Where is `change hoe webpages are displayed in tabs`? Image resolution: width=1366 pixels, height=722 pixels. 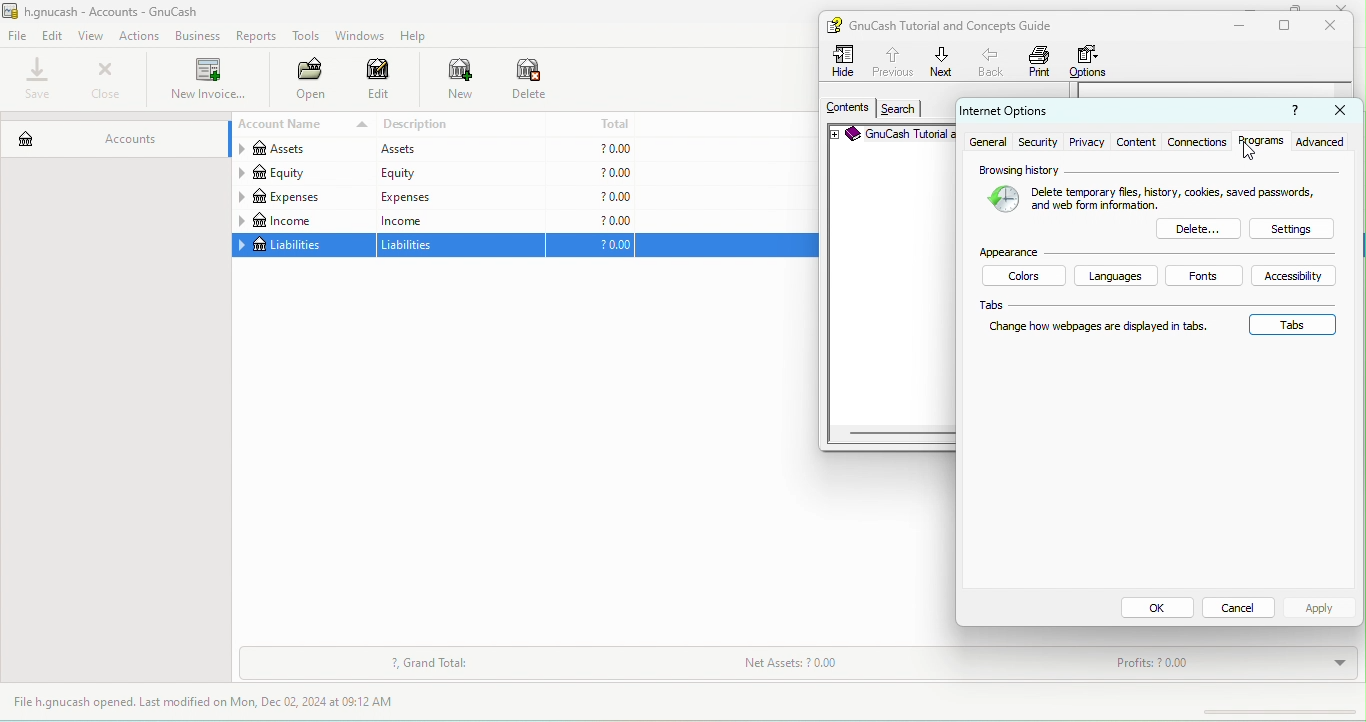
change hoe webpages are displayed in tabs is located at coordinates (1102, 330).